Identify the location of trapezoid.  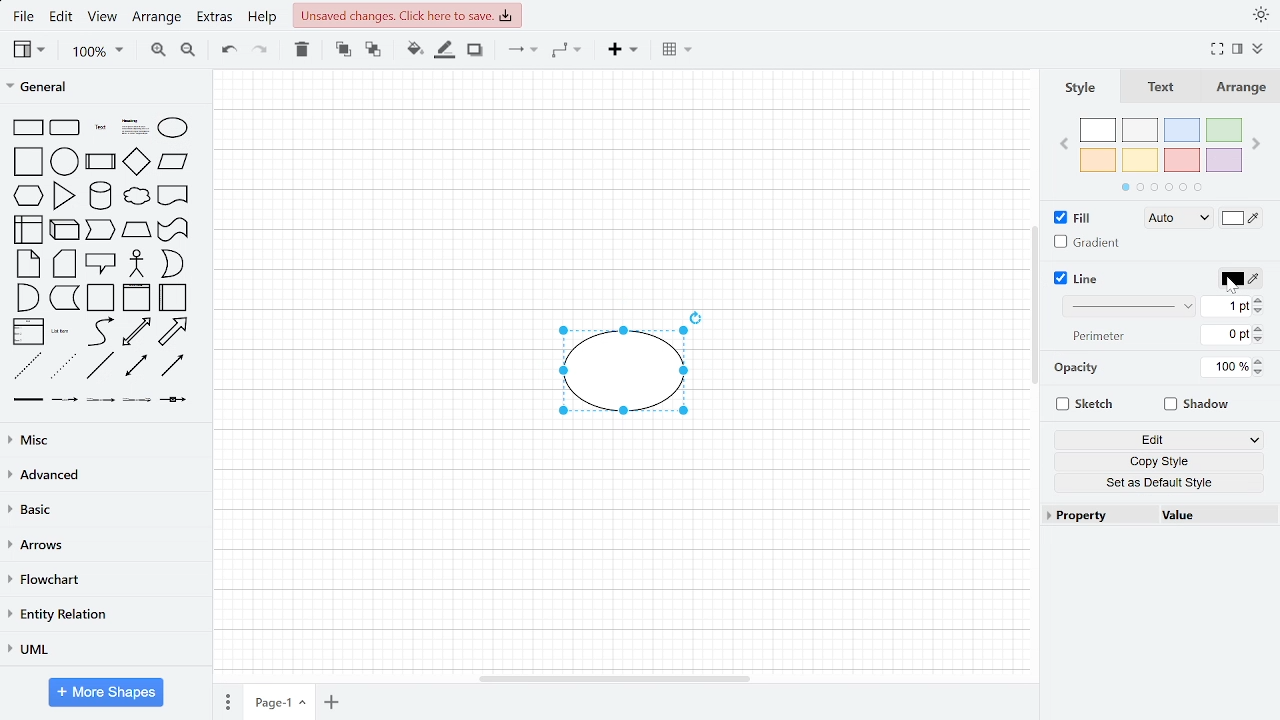
(137, 230).